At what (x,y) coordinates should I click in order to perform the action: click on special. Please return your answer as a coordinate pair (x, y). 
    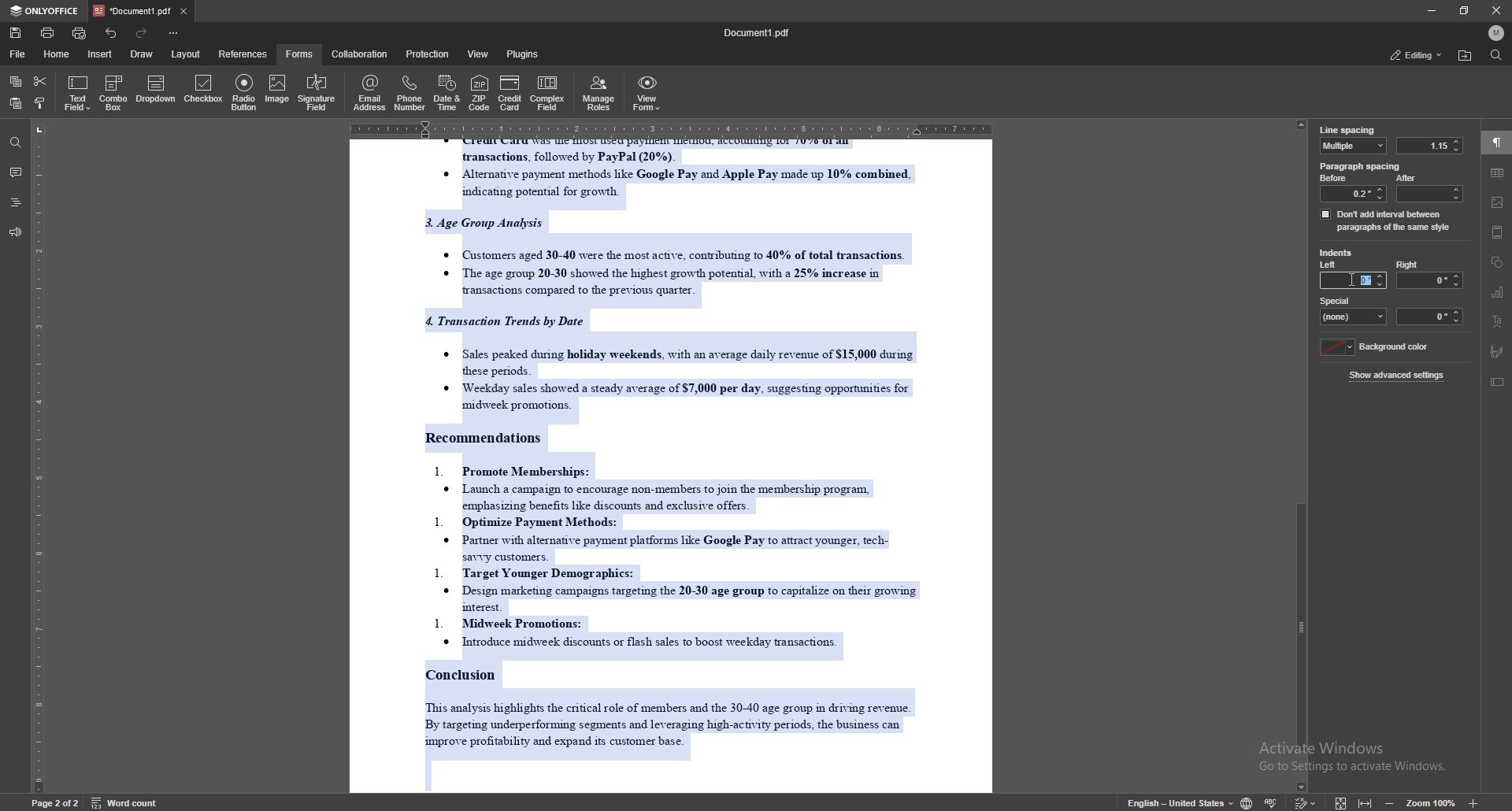
    Looking at the image, I should click on (1354, 309).